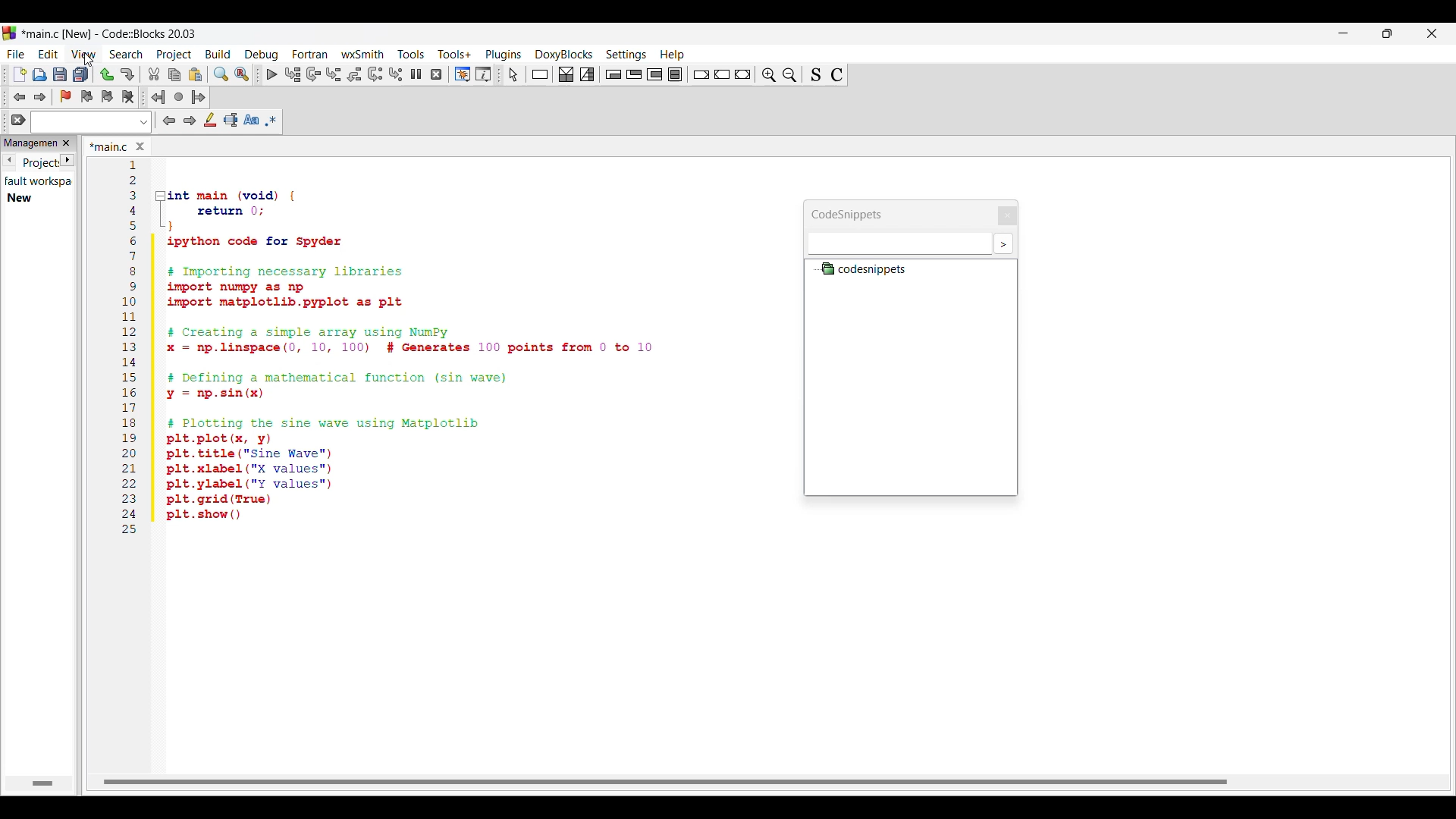 The height and width of the screenshot is (819, 1456). Describe the element at coordinates (1004, 212) in the screenshot. I see `Close` at that location.